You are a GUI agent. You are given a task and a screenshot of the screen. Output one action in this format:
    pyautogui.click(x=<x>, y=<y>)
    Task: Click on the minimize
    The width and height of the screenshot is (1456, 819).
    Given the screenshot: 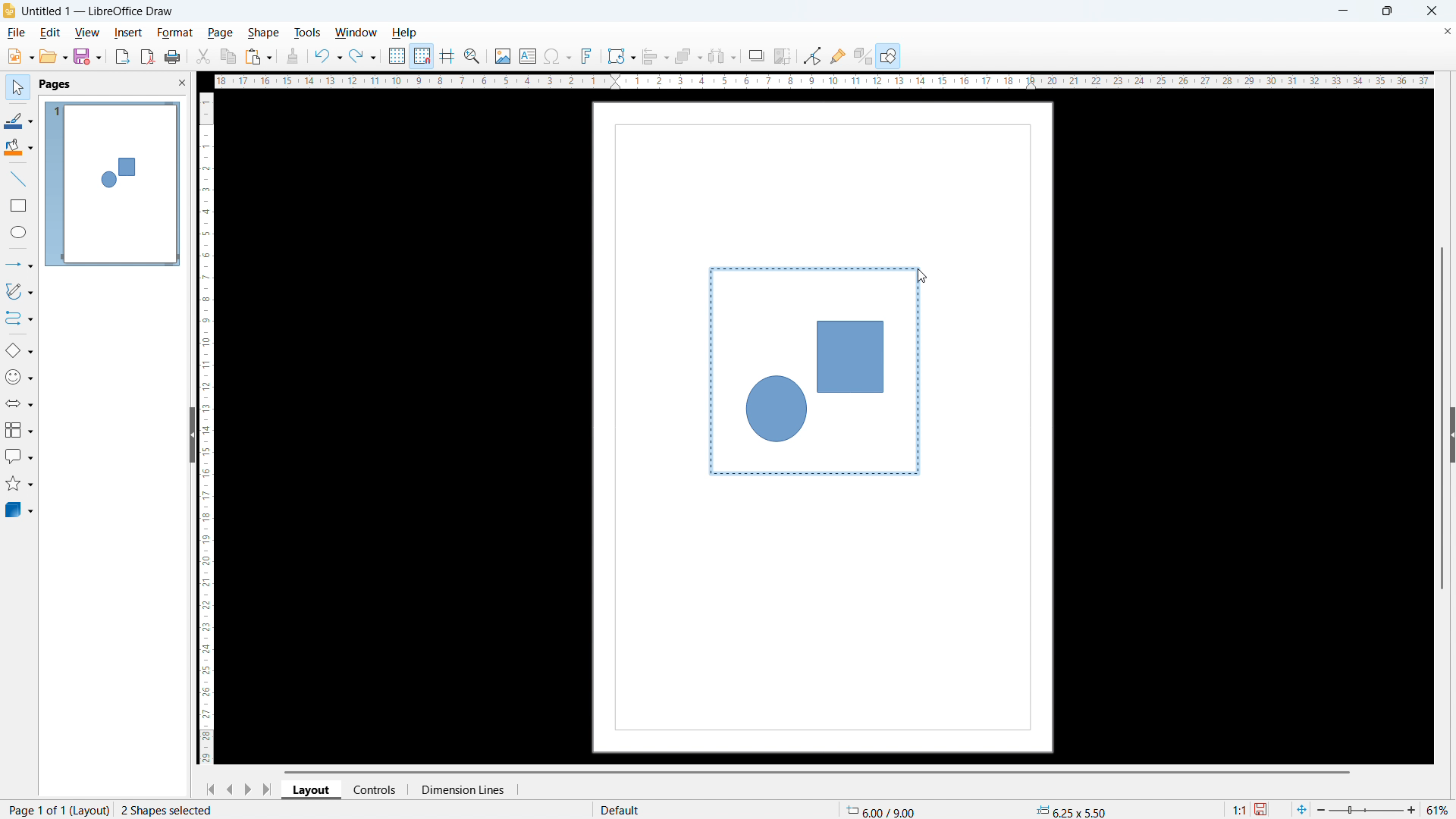 What is the action you would take?
    pyautogui.click(x=1341, y=11)
    